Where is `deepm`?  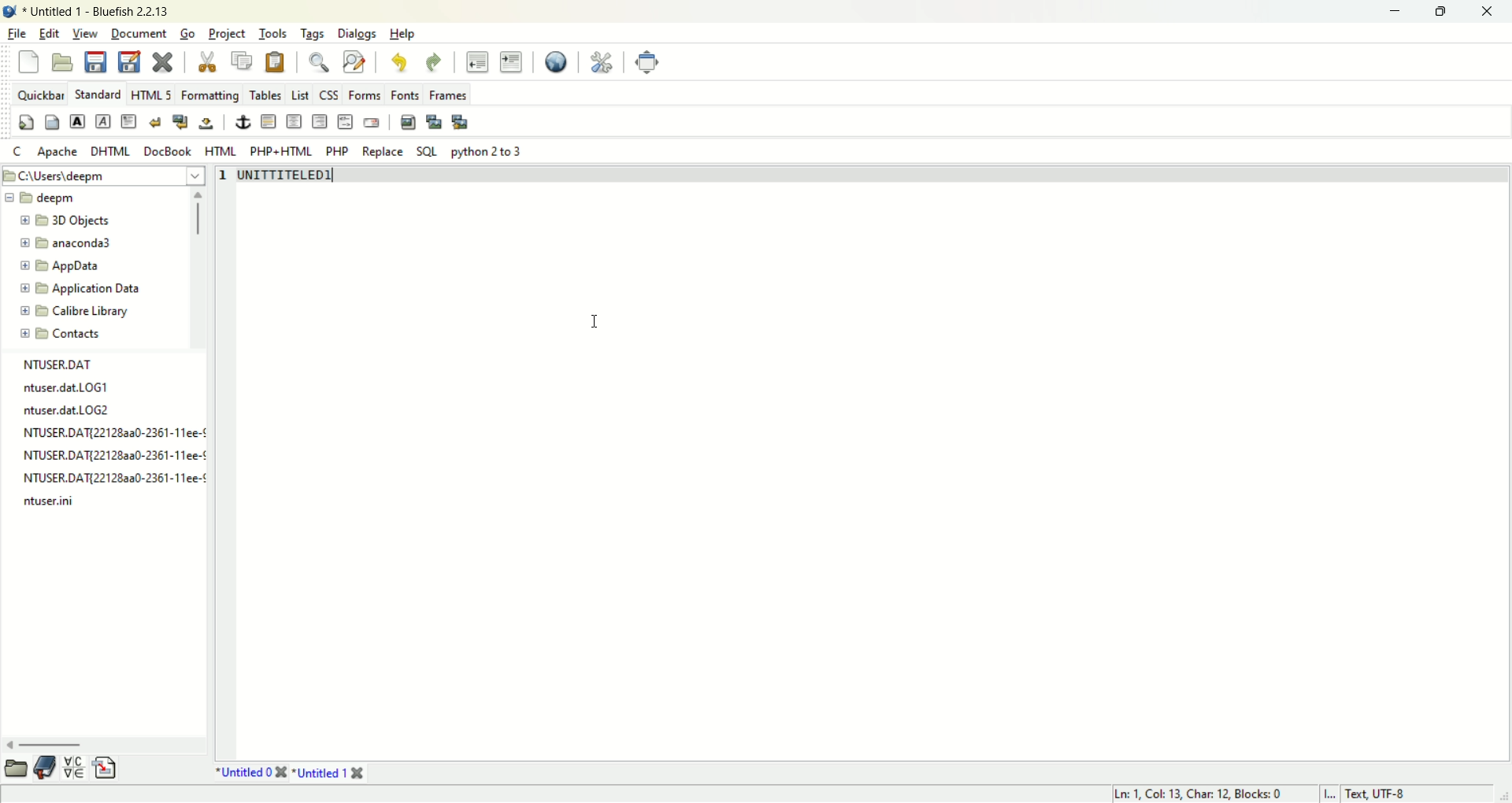 deepm is located at coordinates (47, 196).